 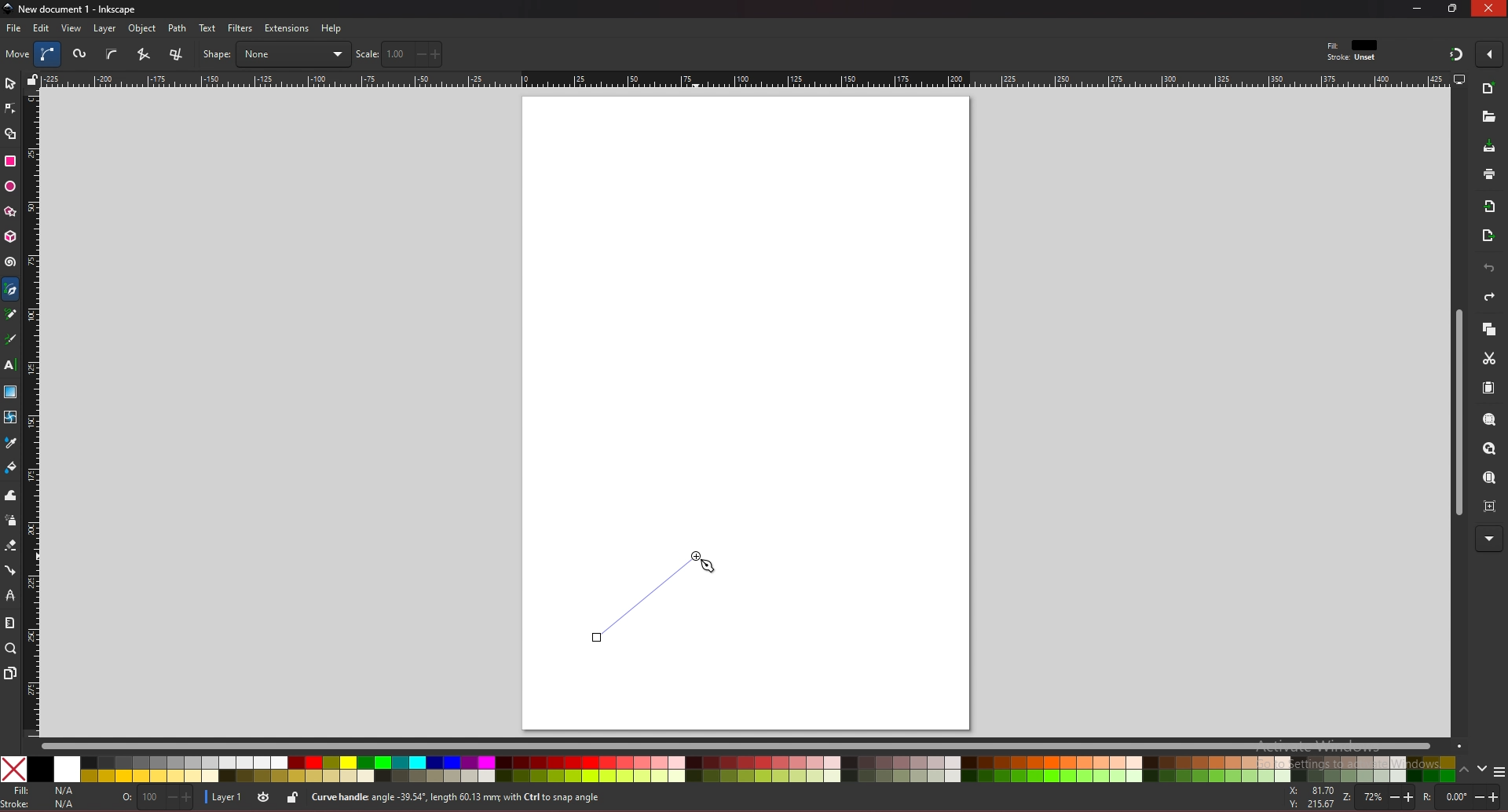 I want to click on fit, so click(x=1354, y=46).